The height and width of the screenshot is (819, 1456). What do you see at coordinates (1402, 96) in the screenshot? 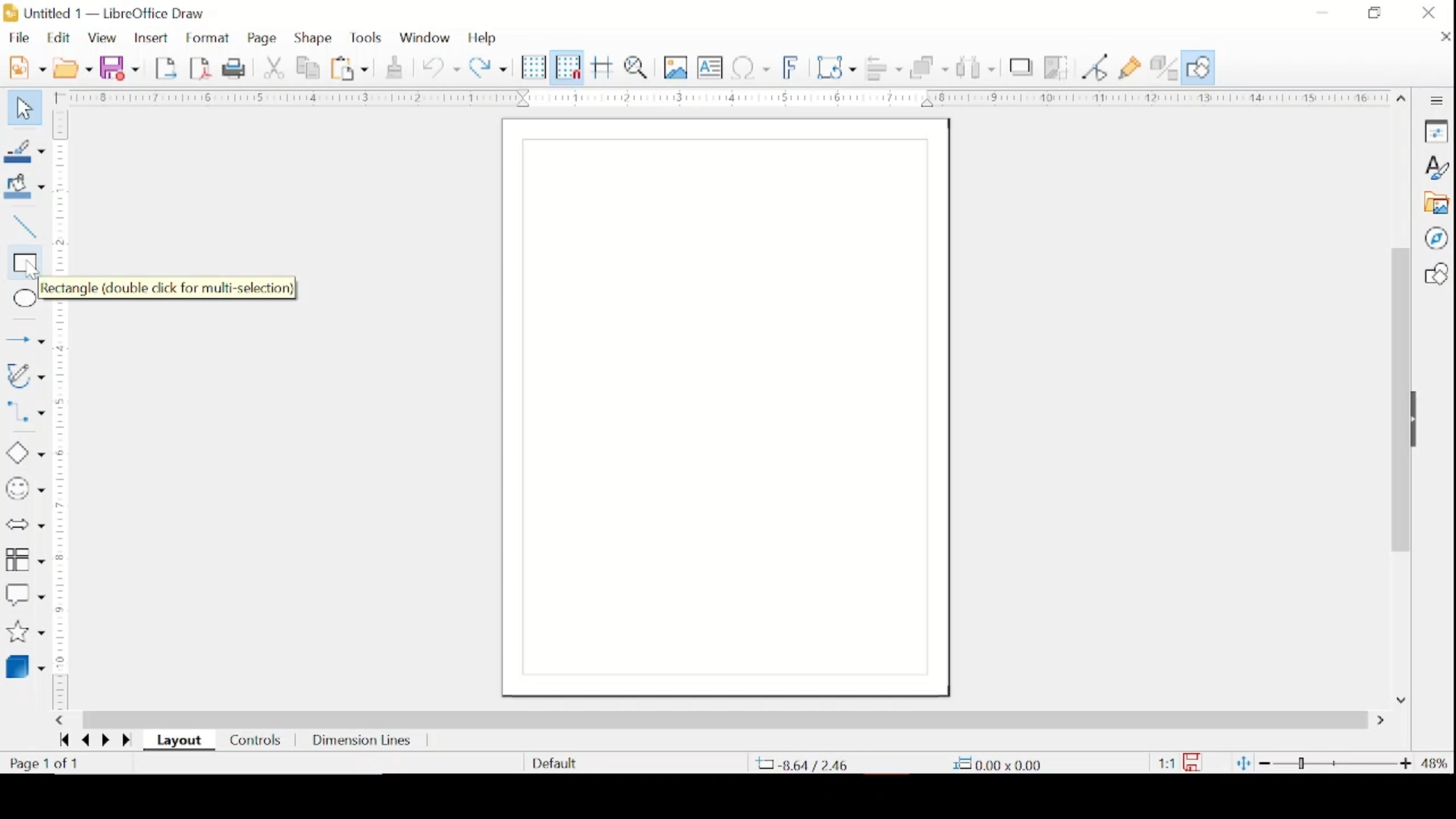
I see `scroll up arrow` at bounding box center [1402, 96].